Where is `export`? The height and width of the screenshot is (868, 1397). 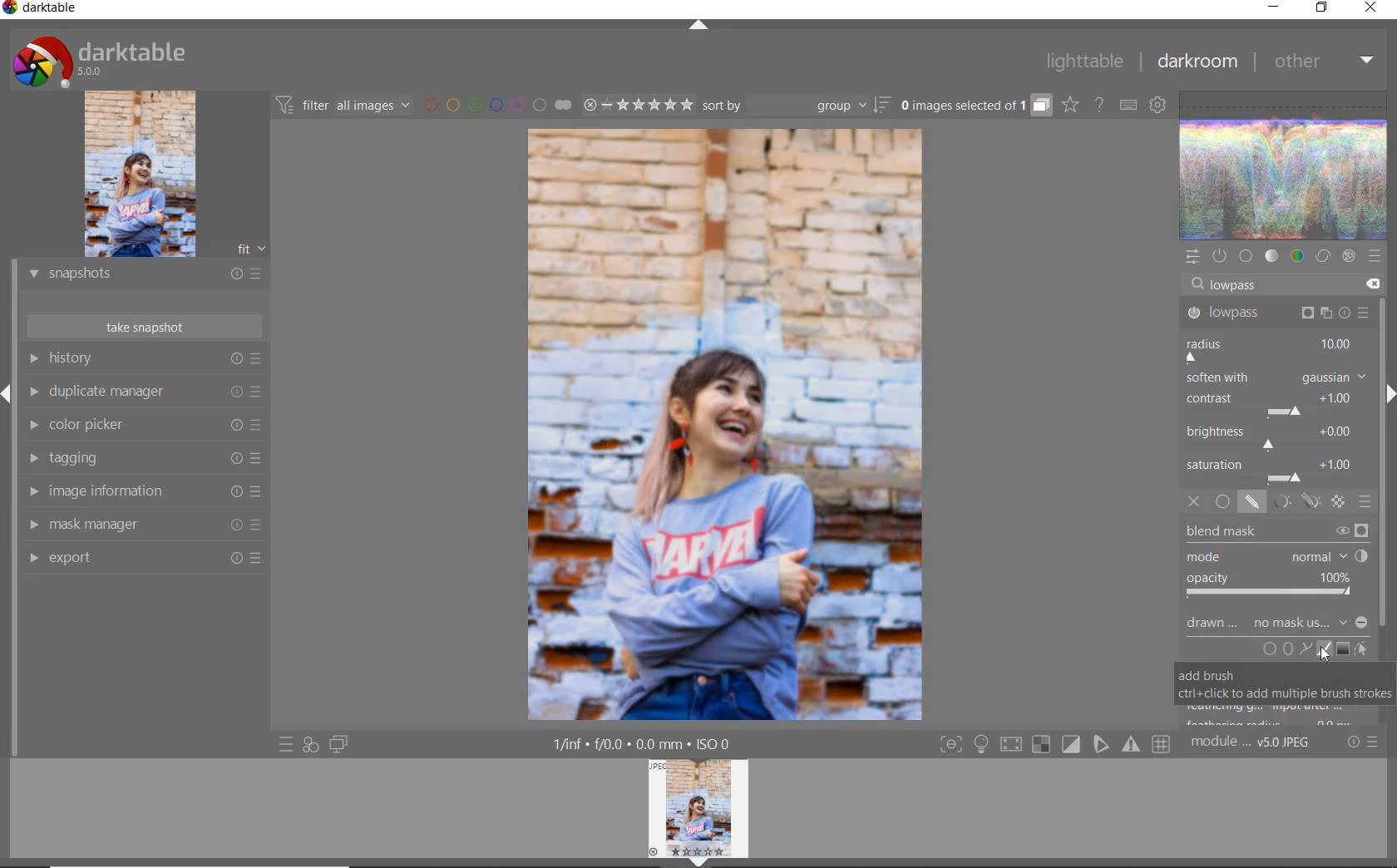
export is located at coordinates (146, 558).